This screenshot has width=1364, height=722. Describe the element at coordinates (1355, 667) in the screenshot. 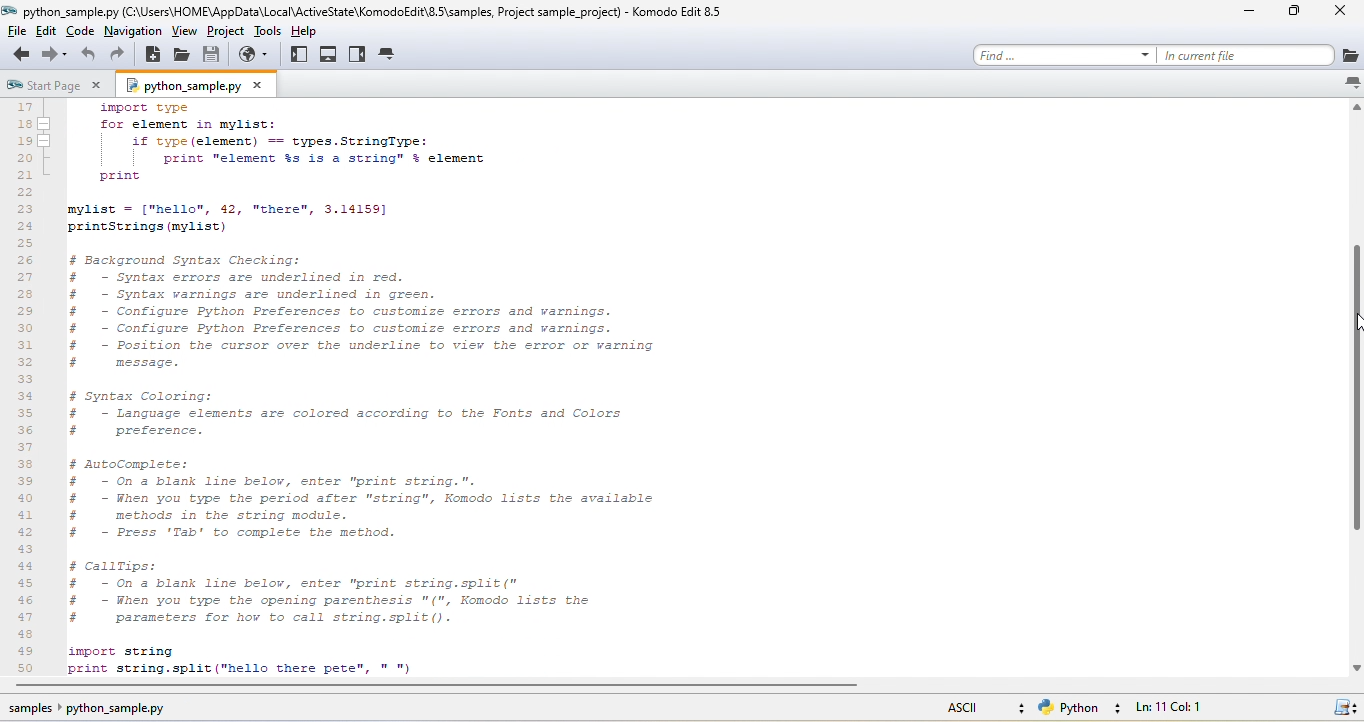

I see `scroll down` at that location.